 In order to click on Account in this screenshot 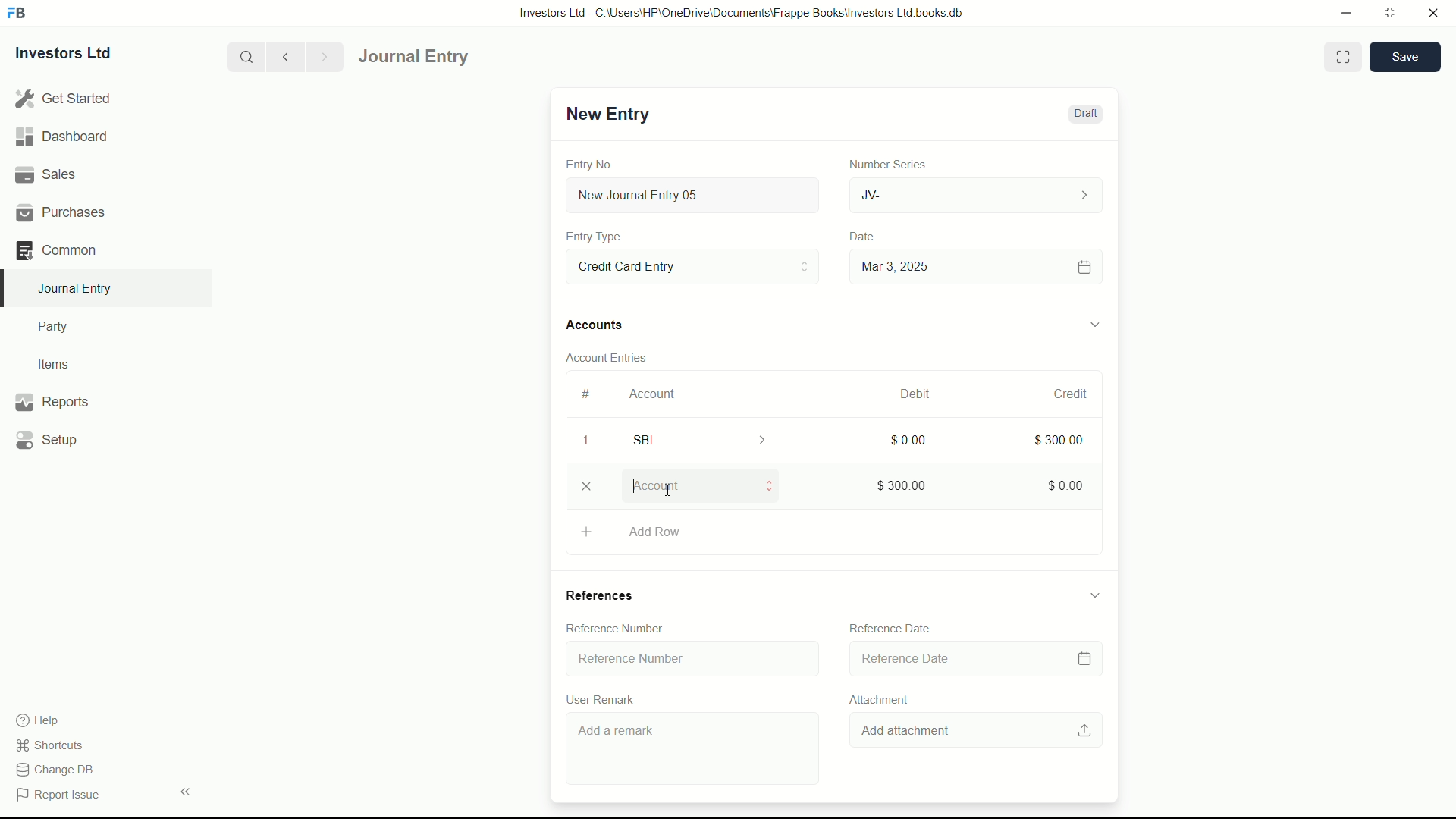, I will do `click(653, 394)`.